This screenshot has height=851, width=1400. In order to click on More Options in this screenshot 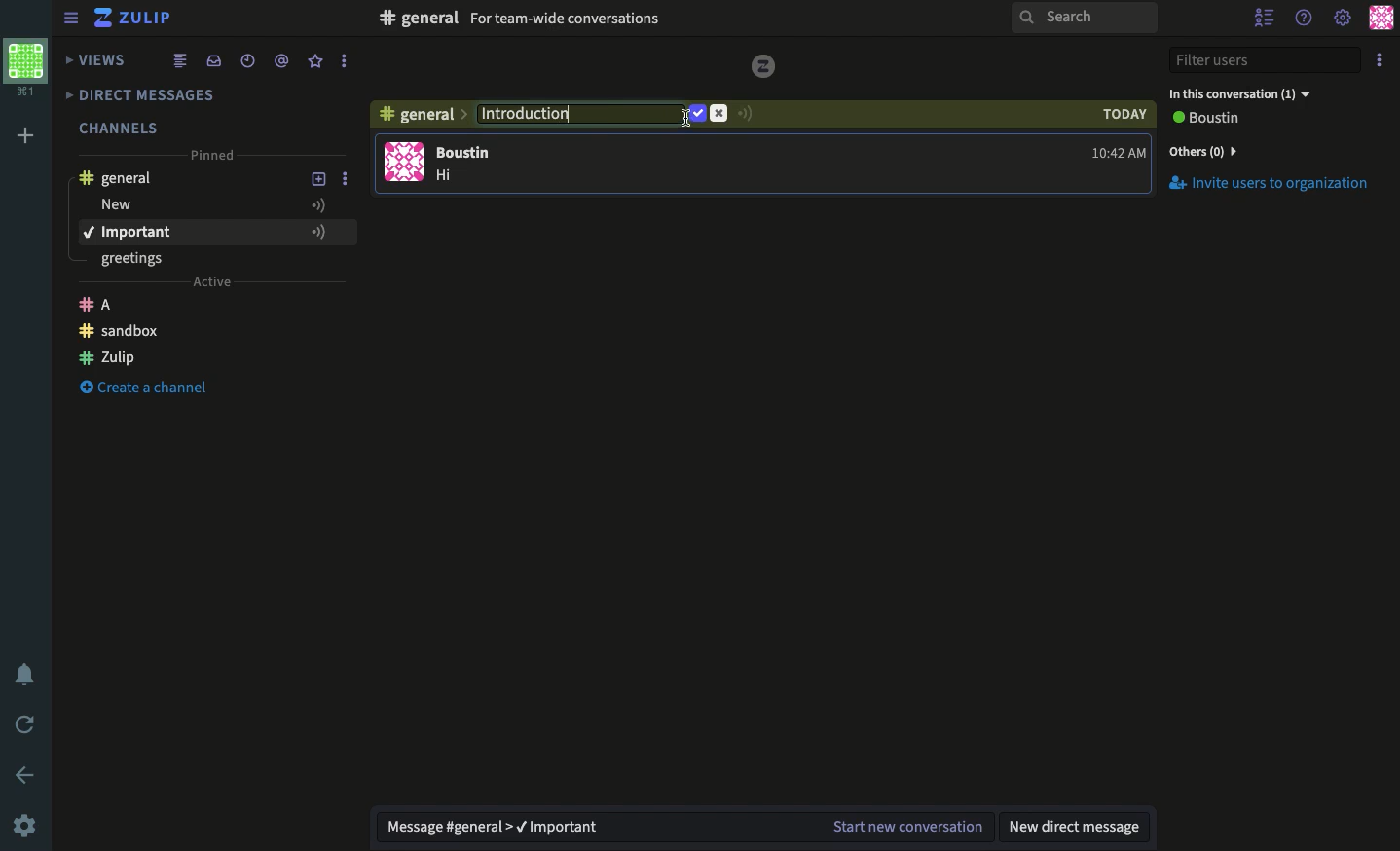, I will do `click(348, 63)`.